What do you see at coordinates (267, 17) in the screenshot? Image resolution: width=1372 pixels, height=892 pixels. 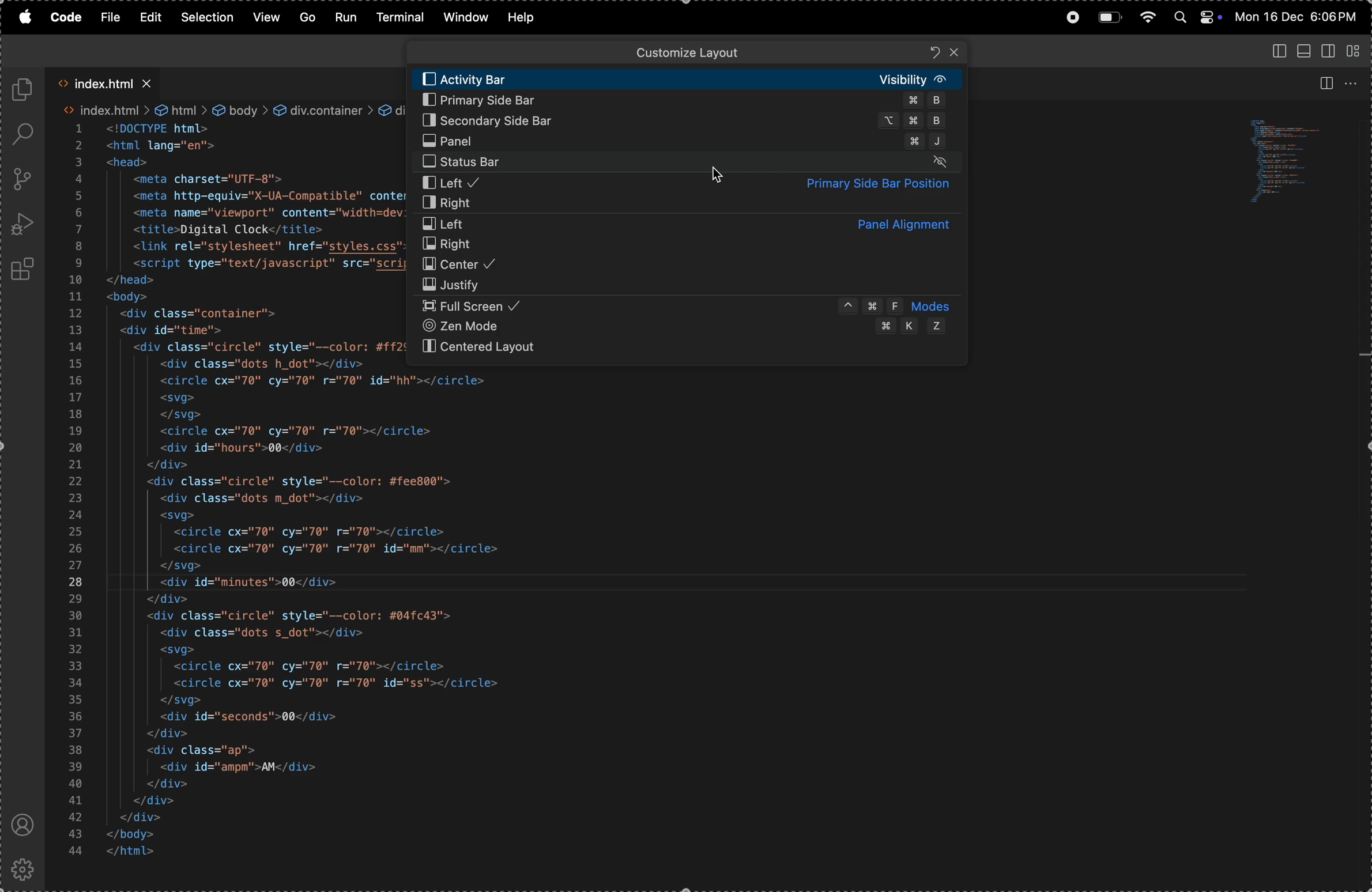 I see `view` at bounding box center [267, 17].